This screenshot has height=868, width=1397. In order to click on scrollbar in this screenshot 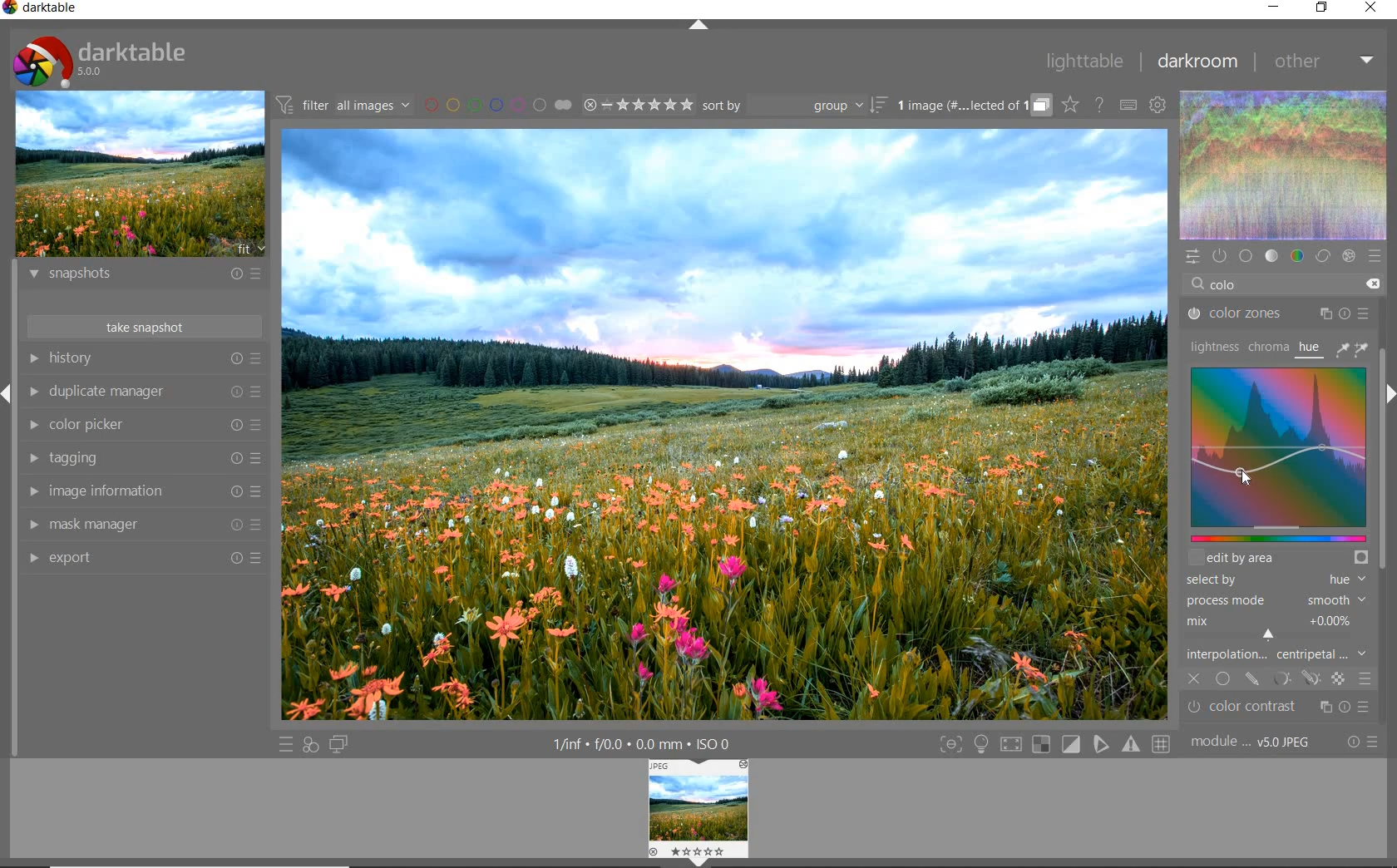, I will do `click(1382, 525)`.